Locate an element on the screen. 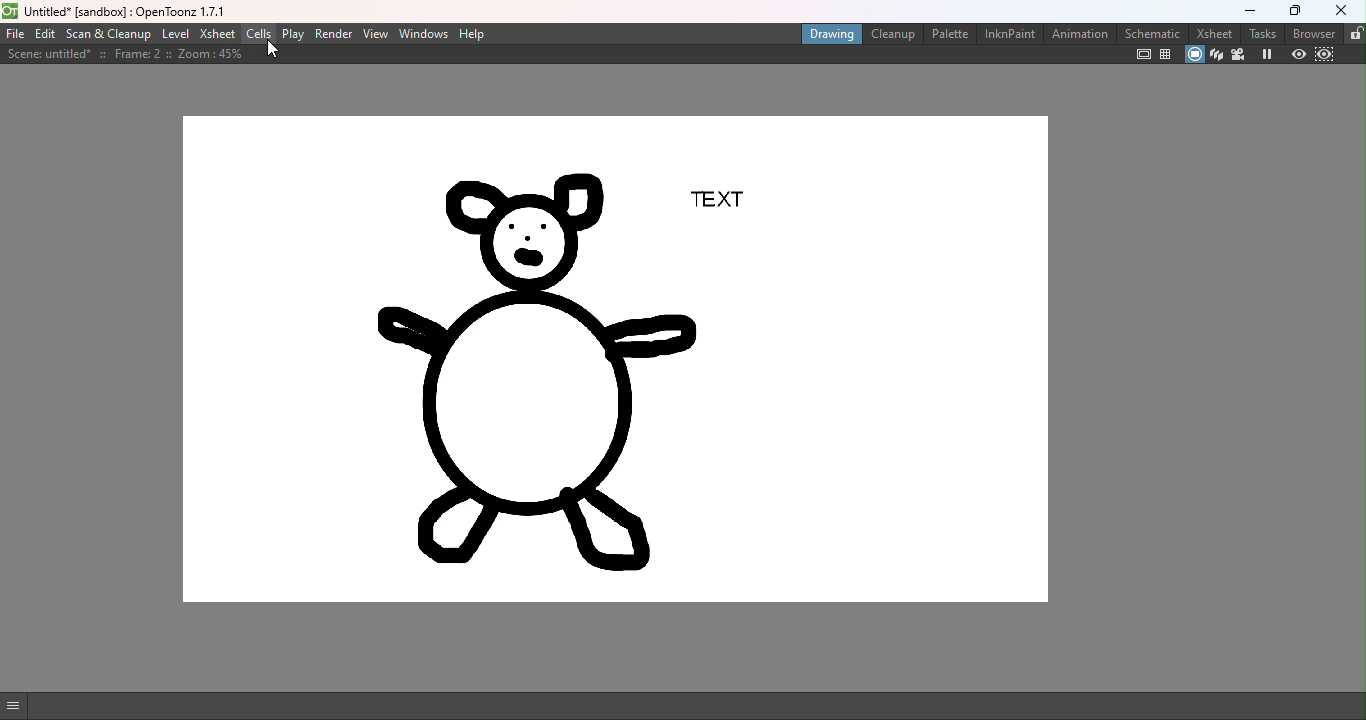 This screenshot has height=720, width=1366. GUI show/hide is located at coordinates (19, 704).